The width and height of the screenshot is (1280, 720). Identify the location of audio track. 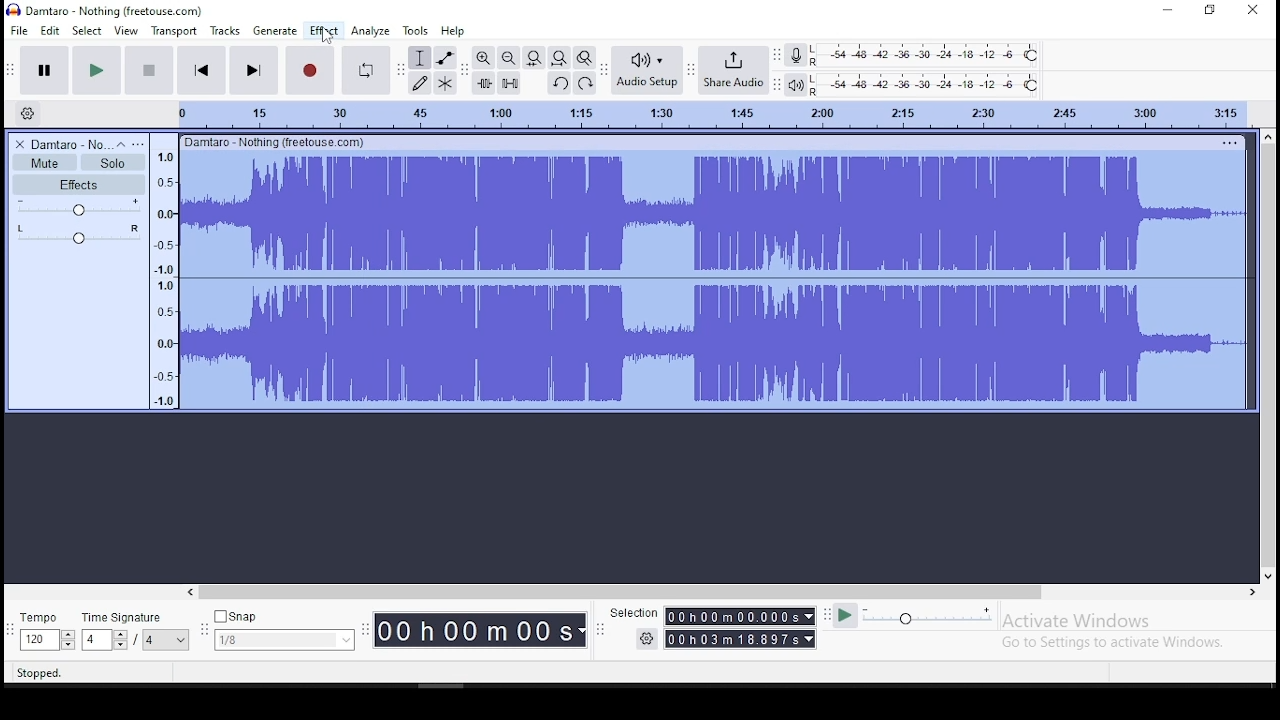
(713, 344).